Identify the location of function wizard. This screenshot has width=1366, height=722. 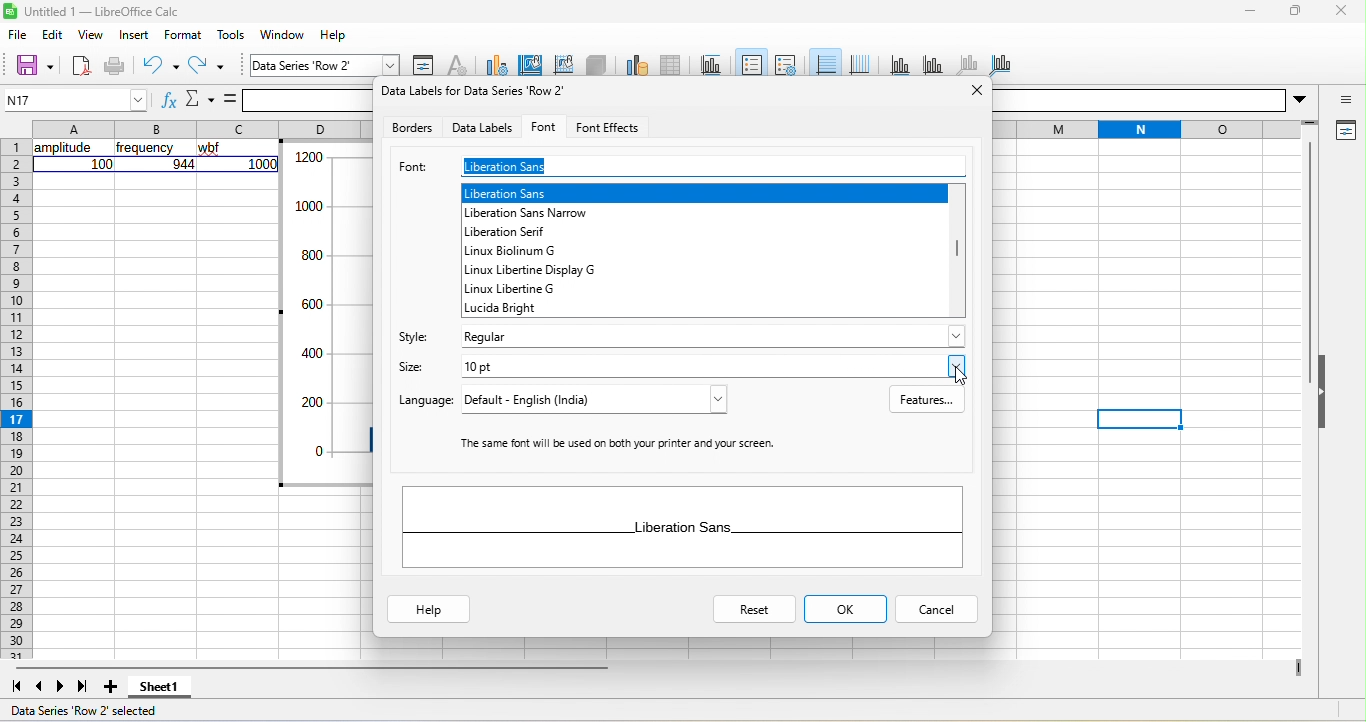
(164, 99).